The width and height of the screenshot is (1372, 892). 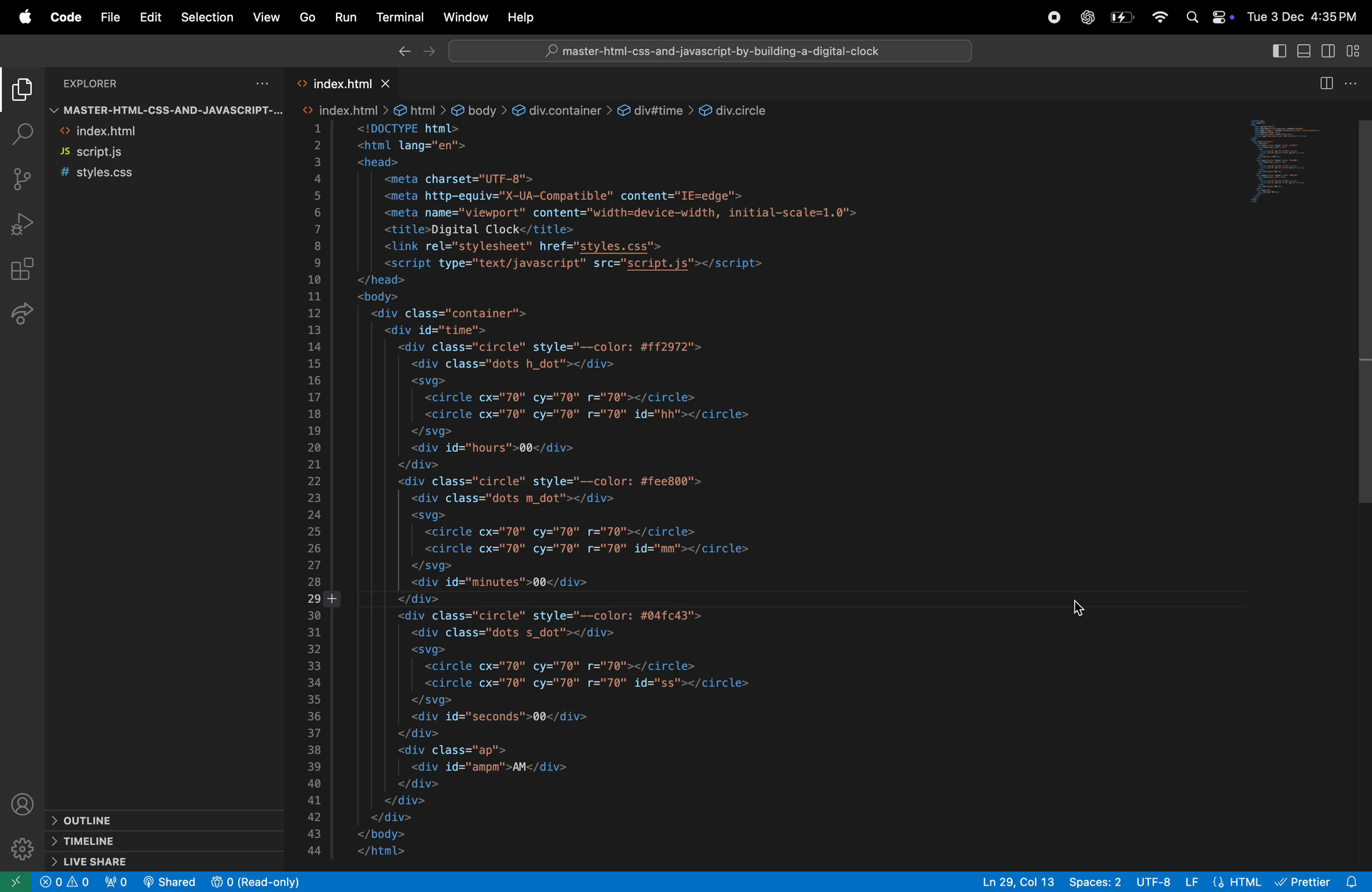 What do you see at coordinates (27, 318) in the screenshot?
I see `live share` at bounding box center [27, 318].